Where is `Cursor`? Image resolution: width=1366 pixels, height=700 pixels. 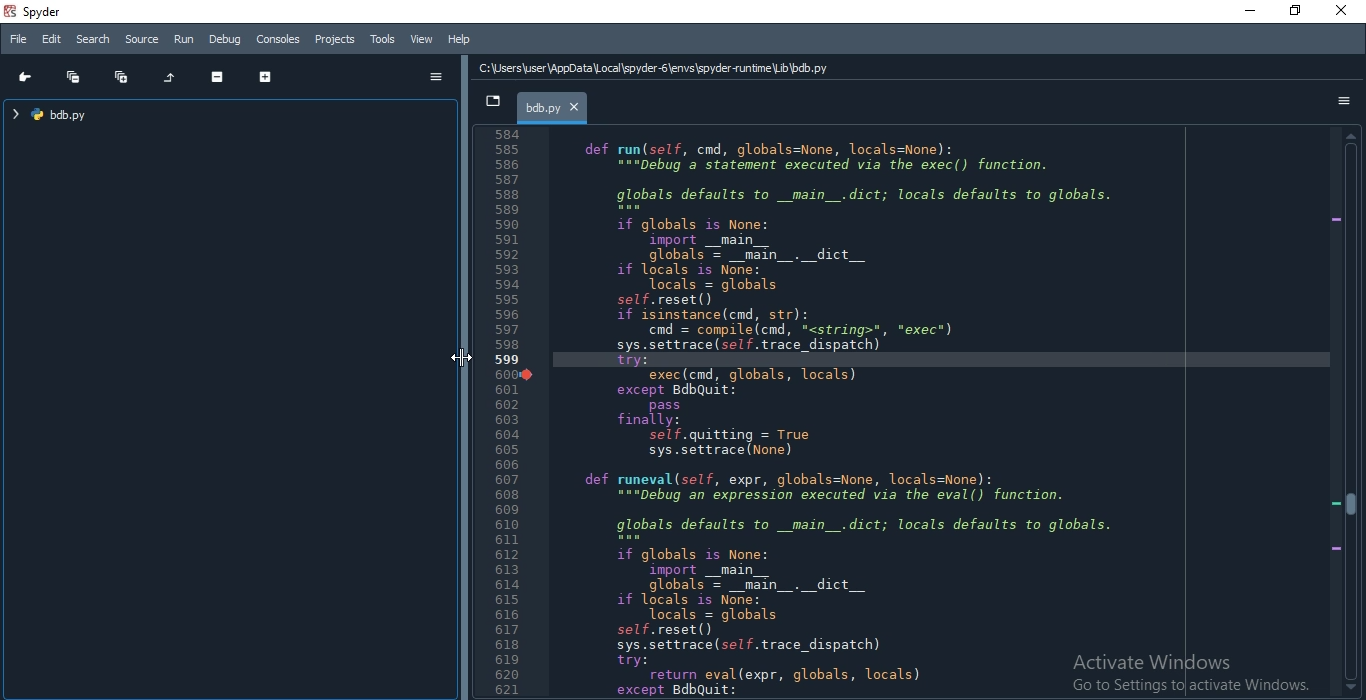 Cursor is located at coordinates (460, 358).